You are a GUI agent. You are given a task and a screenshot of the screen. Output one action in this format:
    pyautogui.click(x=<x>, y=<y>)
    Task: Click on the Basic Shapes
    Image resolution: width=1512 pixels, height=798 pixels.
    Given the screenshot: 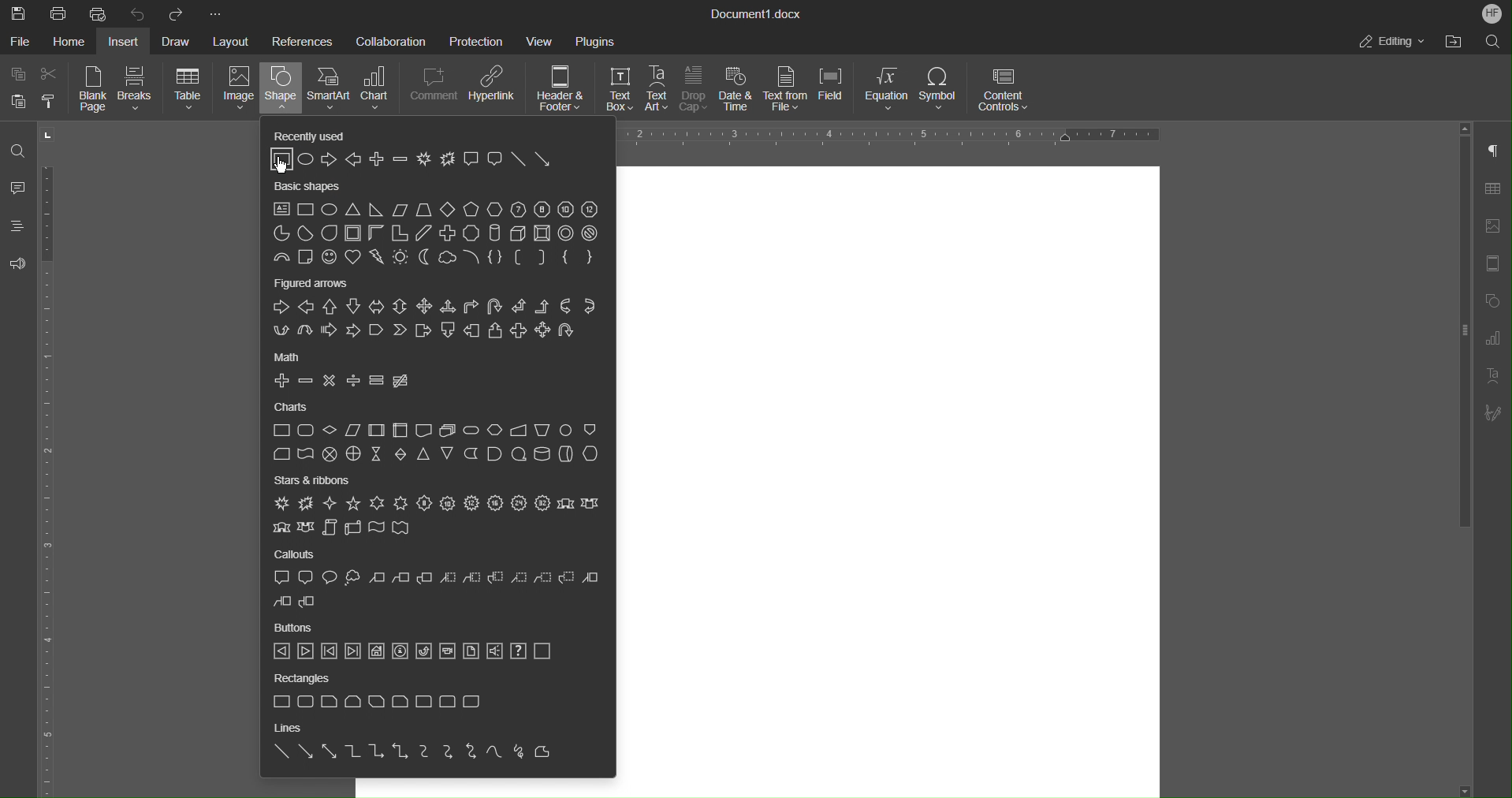 What is the action you would take?
    pyautogui.click(x=311, y=188)
    